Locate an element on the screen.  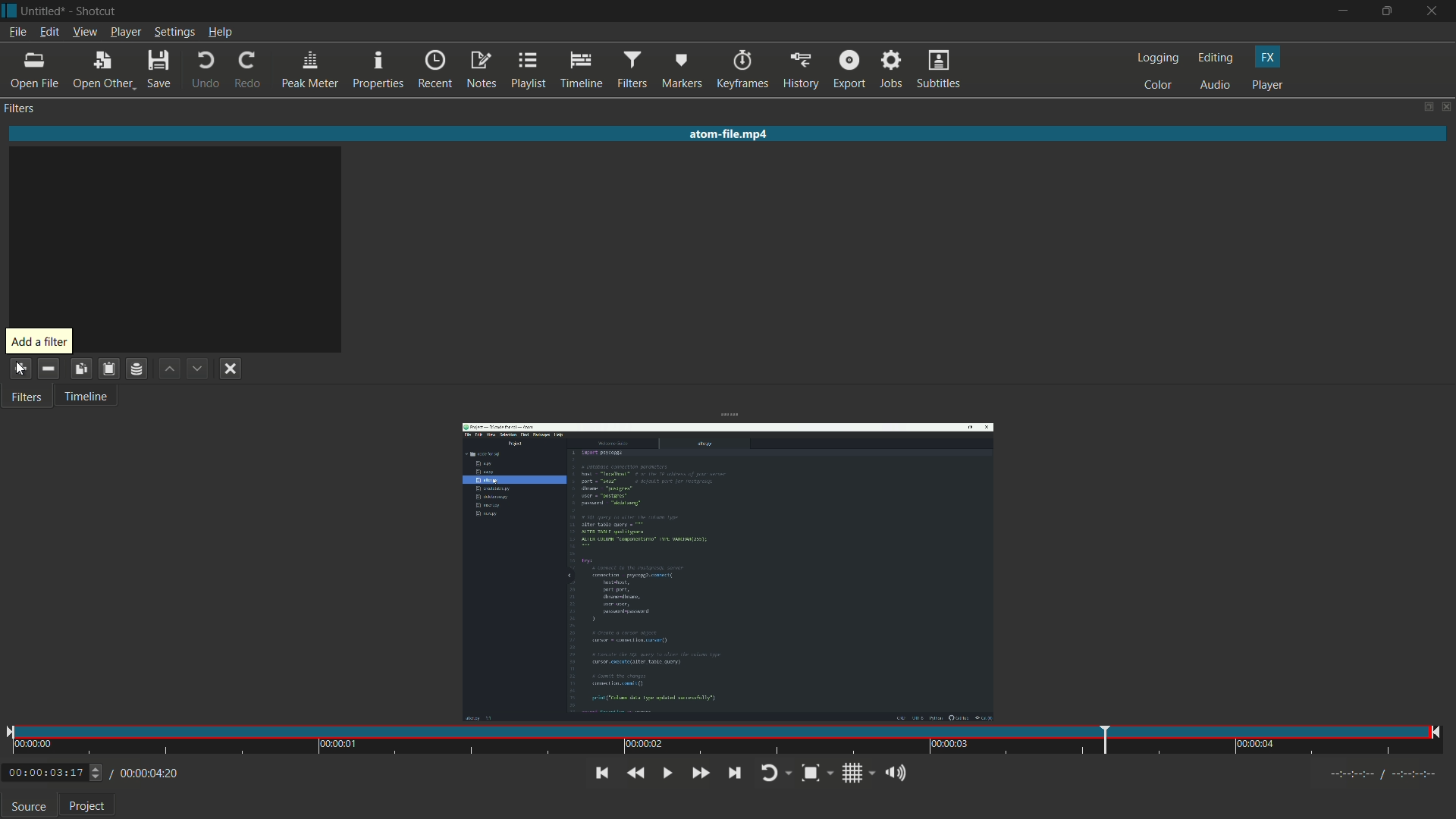
timeline is located at coordinates (84, 395).